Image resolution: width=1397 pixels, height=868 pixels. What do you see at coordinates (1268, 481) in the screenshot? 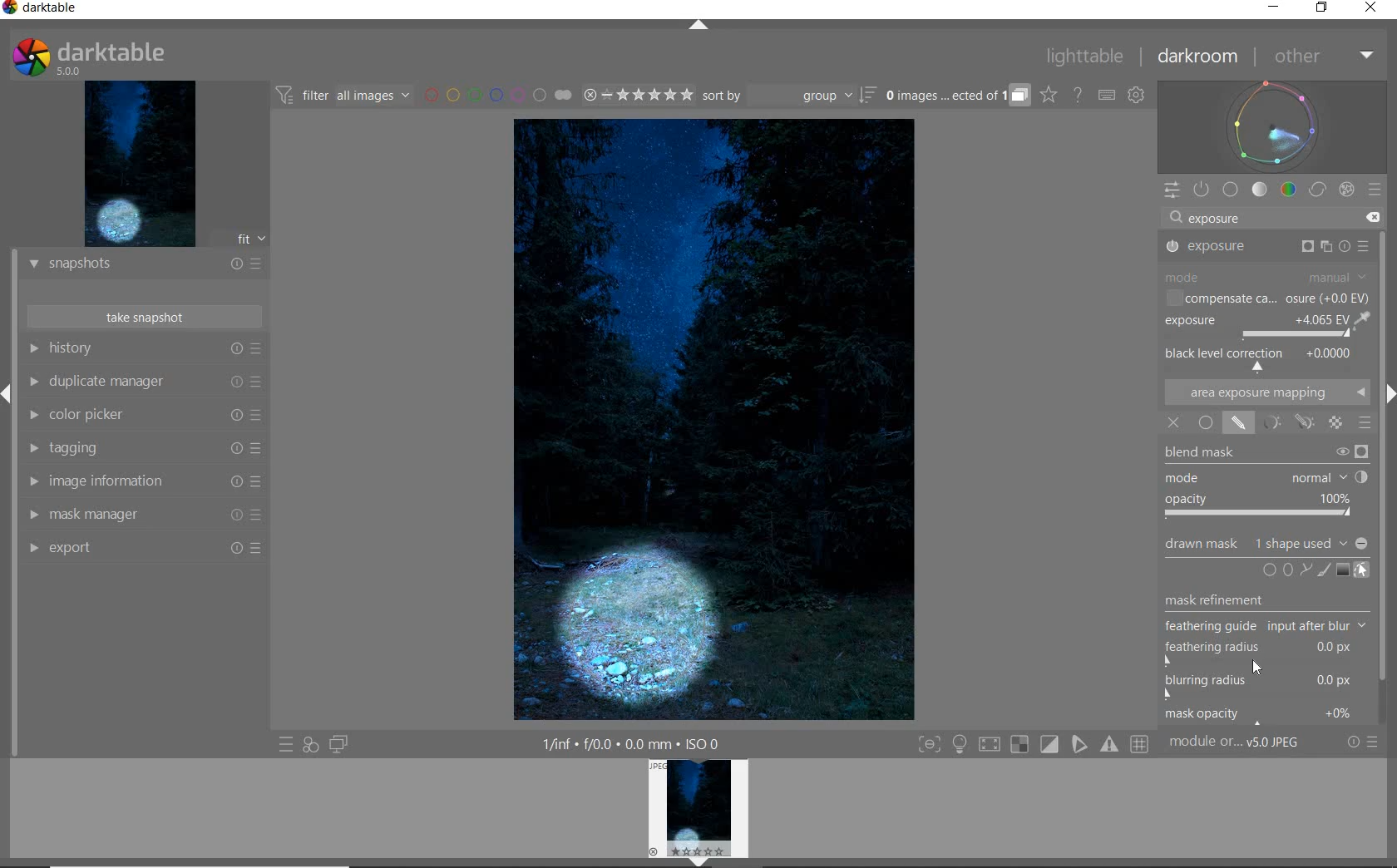
I see `BLEND MASK` at bounding box center [1268, 481].